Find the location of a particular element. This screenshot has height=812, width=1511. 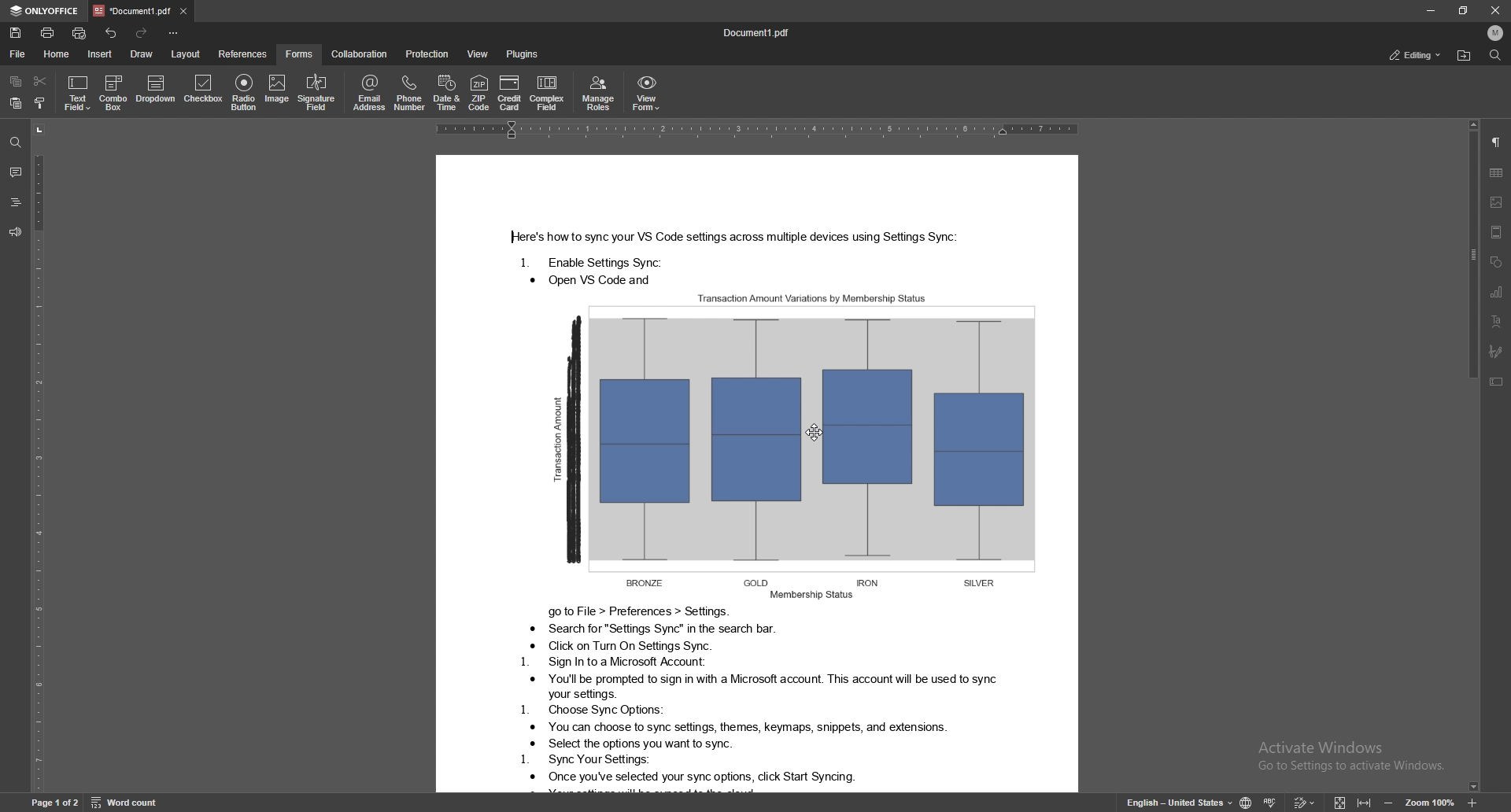

shape is located at coordinates (1496, 262).